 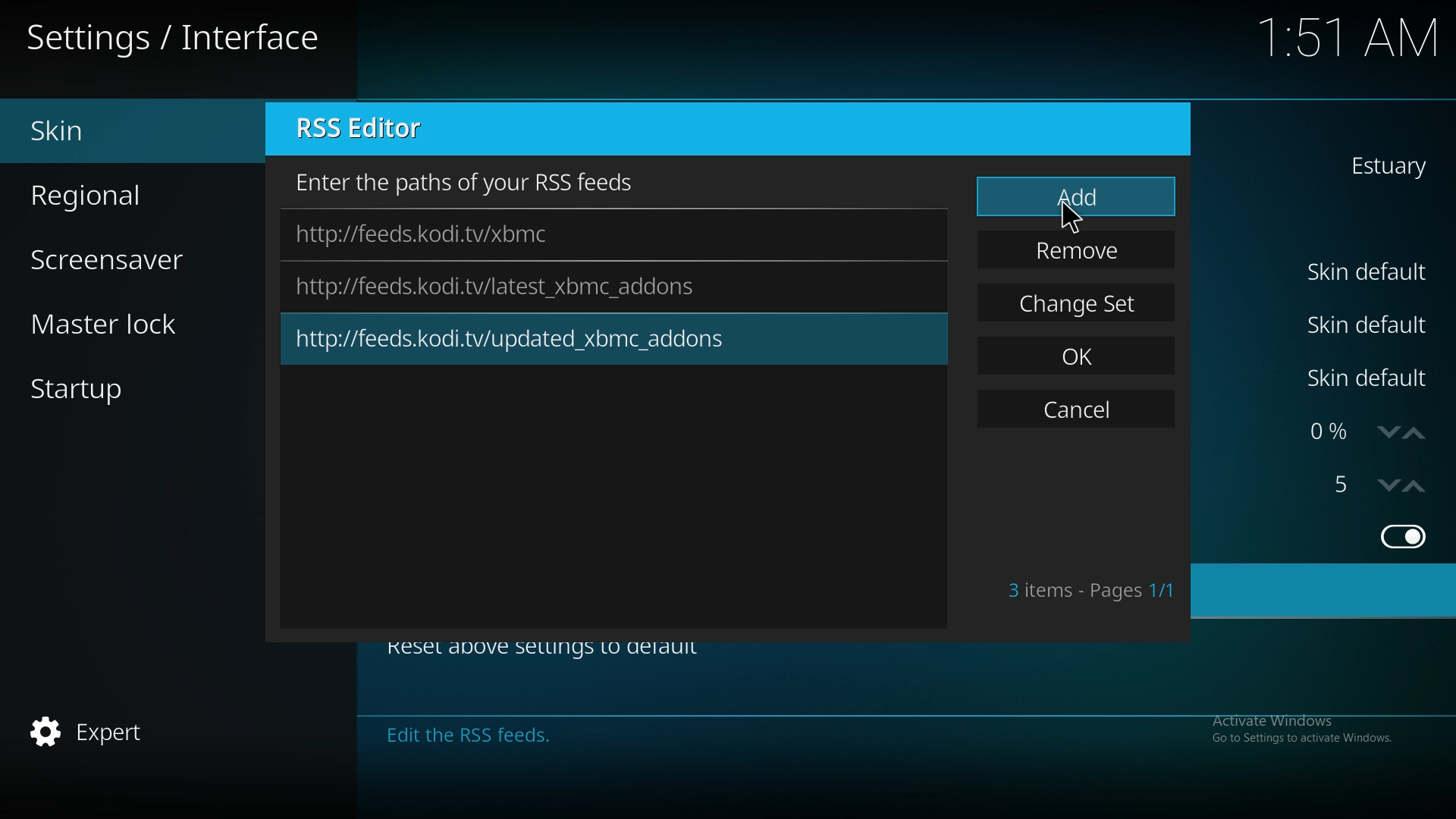 I want to click on stereoscopic 3d effect strength, so click(x=1345, y=485).